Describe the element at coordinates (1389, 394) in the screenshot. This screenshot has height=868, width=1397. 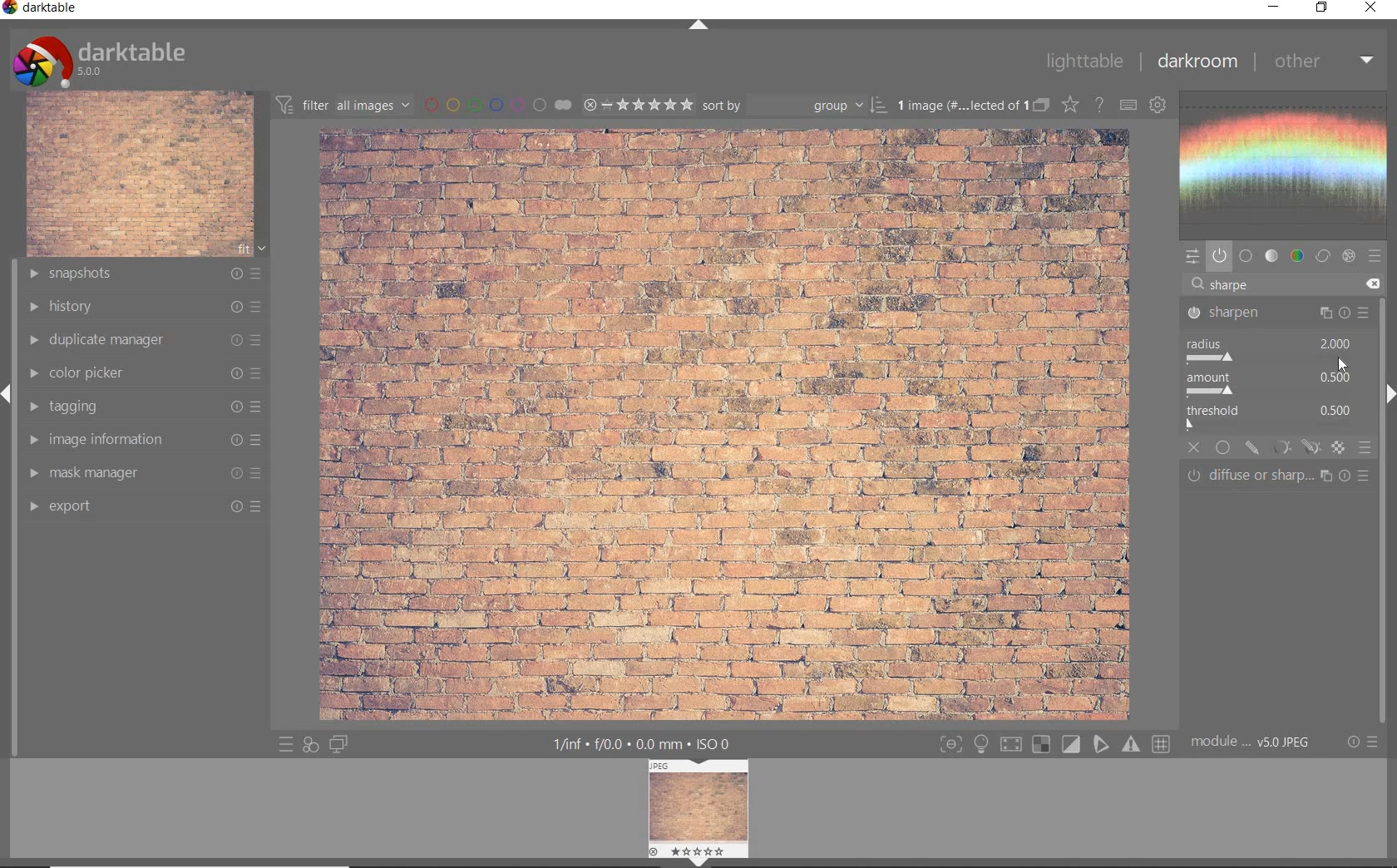
I see `next` at that location.